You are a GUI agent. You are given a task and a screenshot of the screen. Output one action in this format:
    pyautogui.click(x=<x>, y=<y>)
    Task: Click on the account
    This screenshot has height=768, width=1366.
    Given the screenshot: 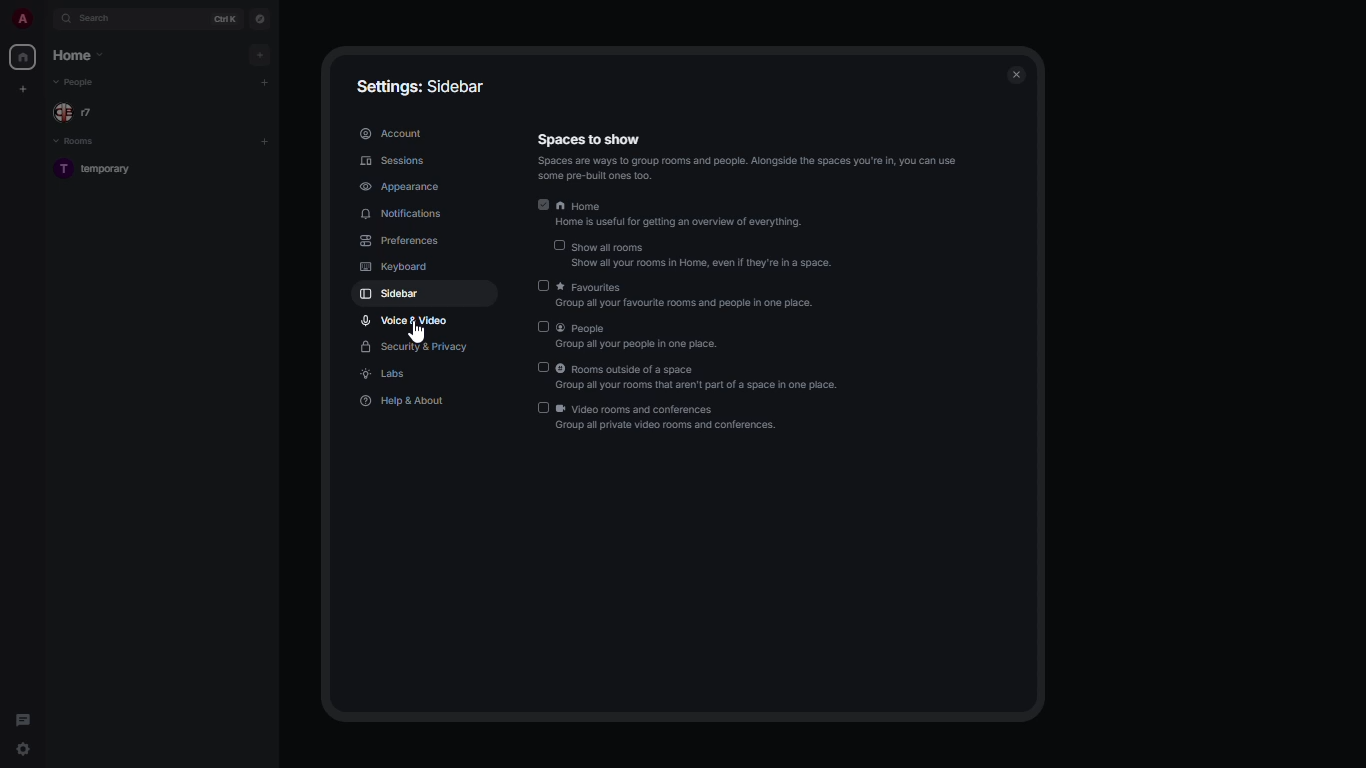 What is the action you would take?
    pyautogui.click(x=392, y=134)
    